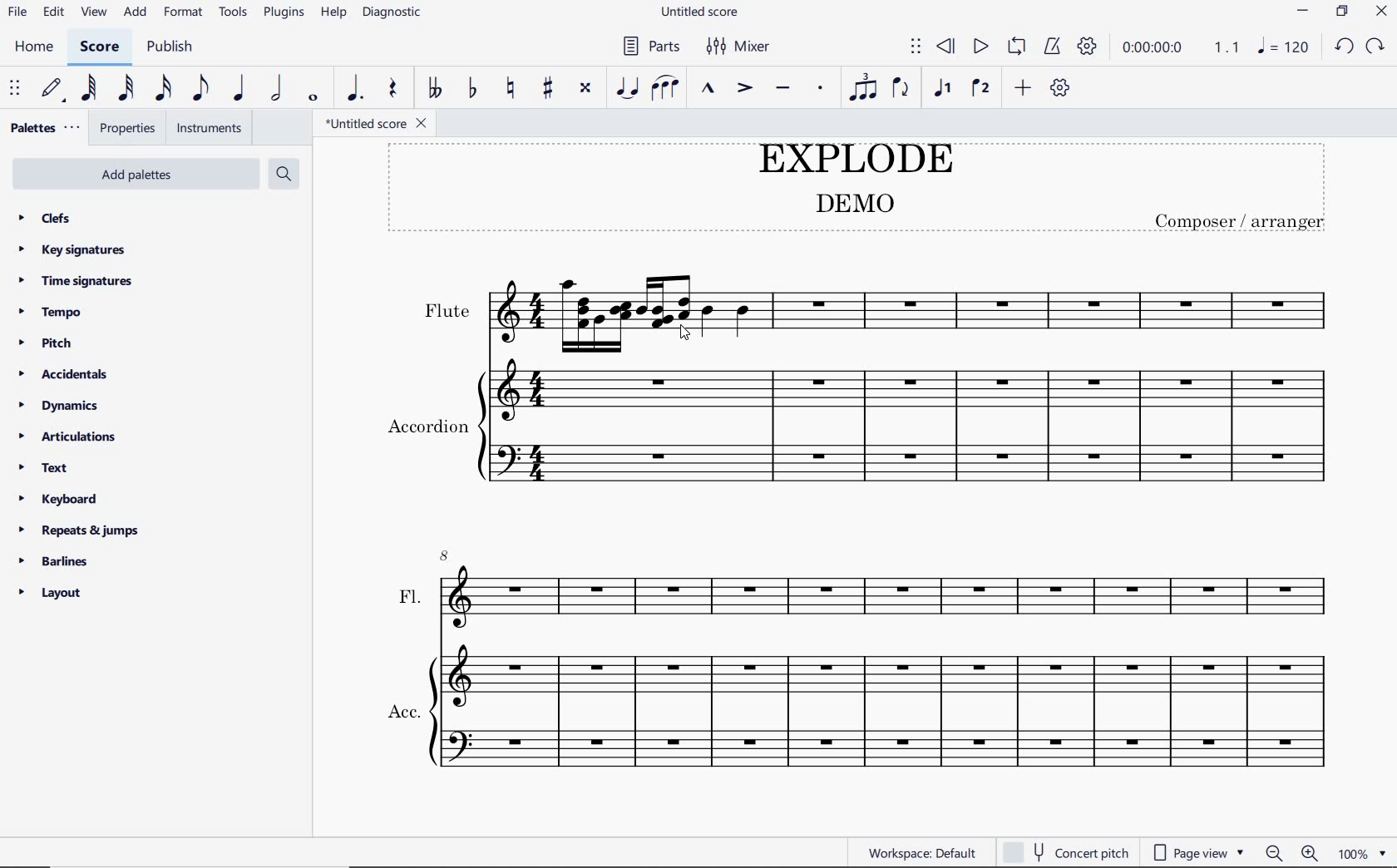 The image size is (1397, 868). I want to click on play, so click(978, 47).